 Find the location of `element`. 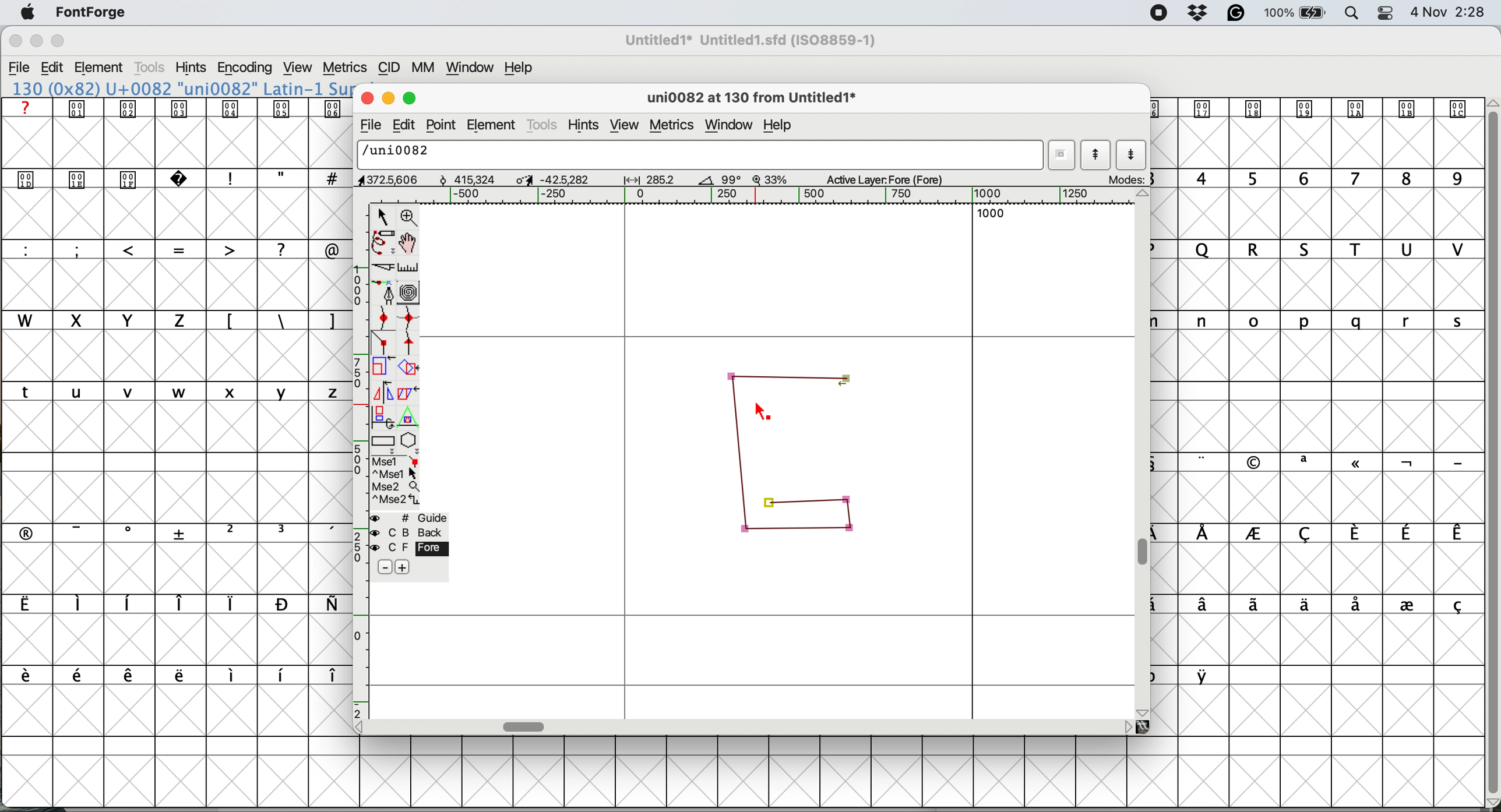

element is located at coordinates (492, 124).